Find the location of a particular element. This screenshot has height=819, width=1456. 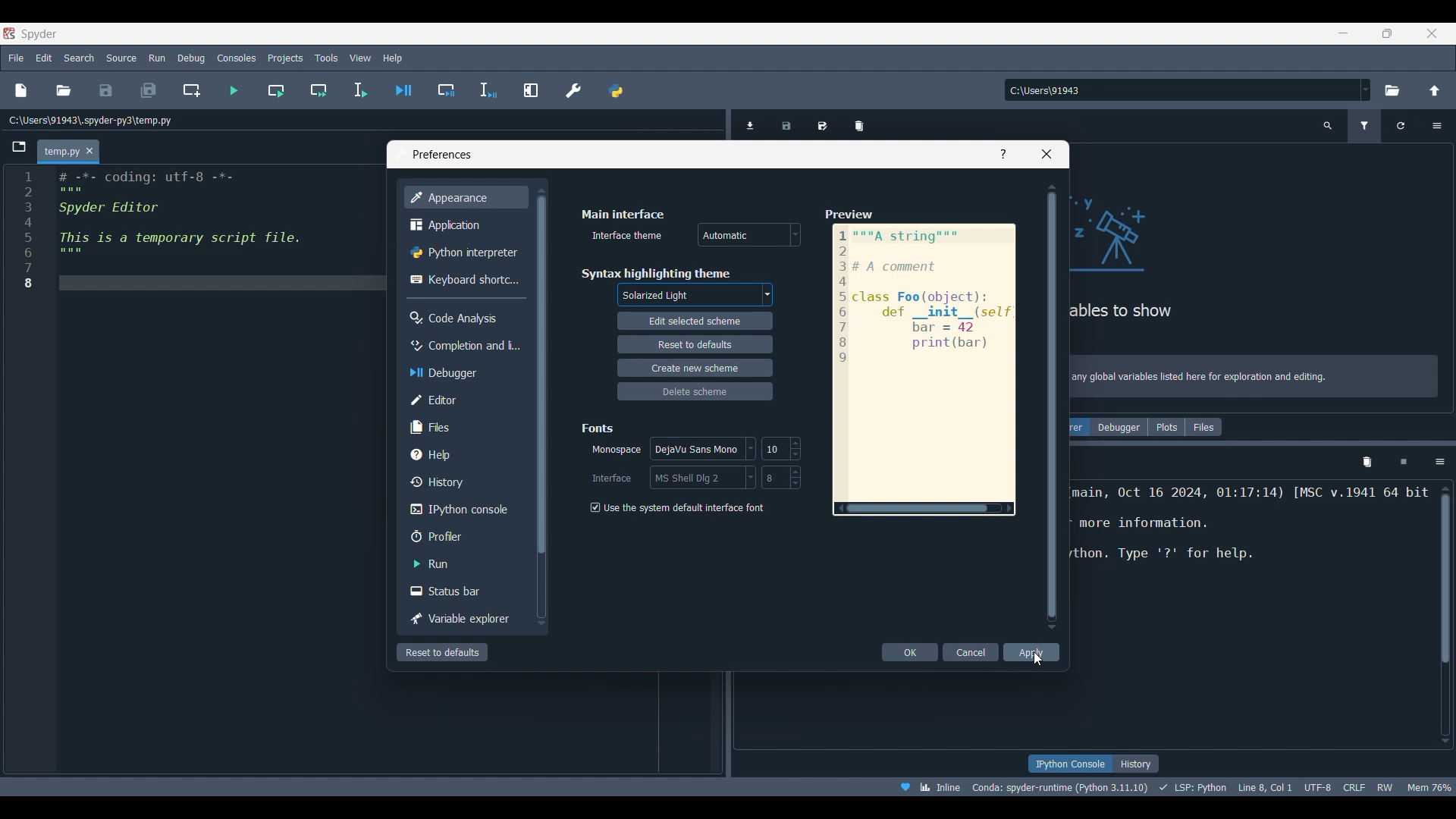

Save all files is located at coordinates (149, 90).